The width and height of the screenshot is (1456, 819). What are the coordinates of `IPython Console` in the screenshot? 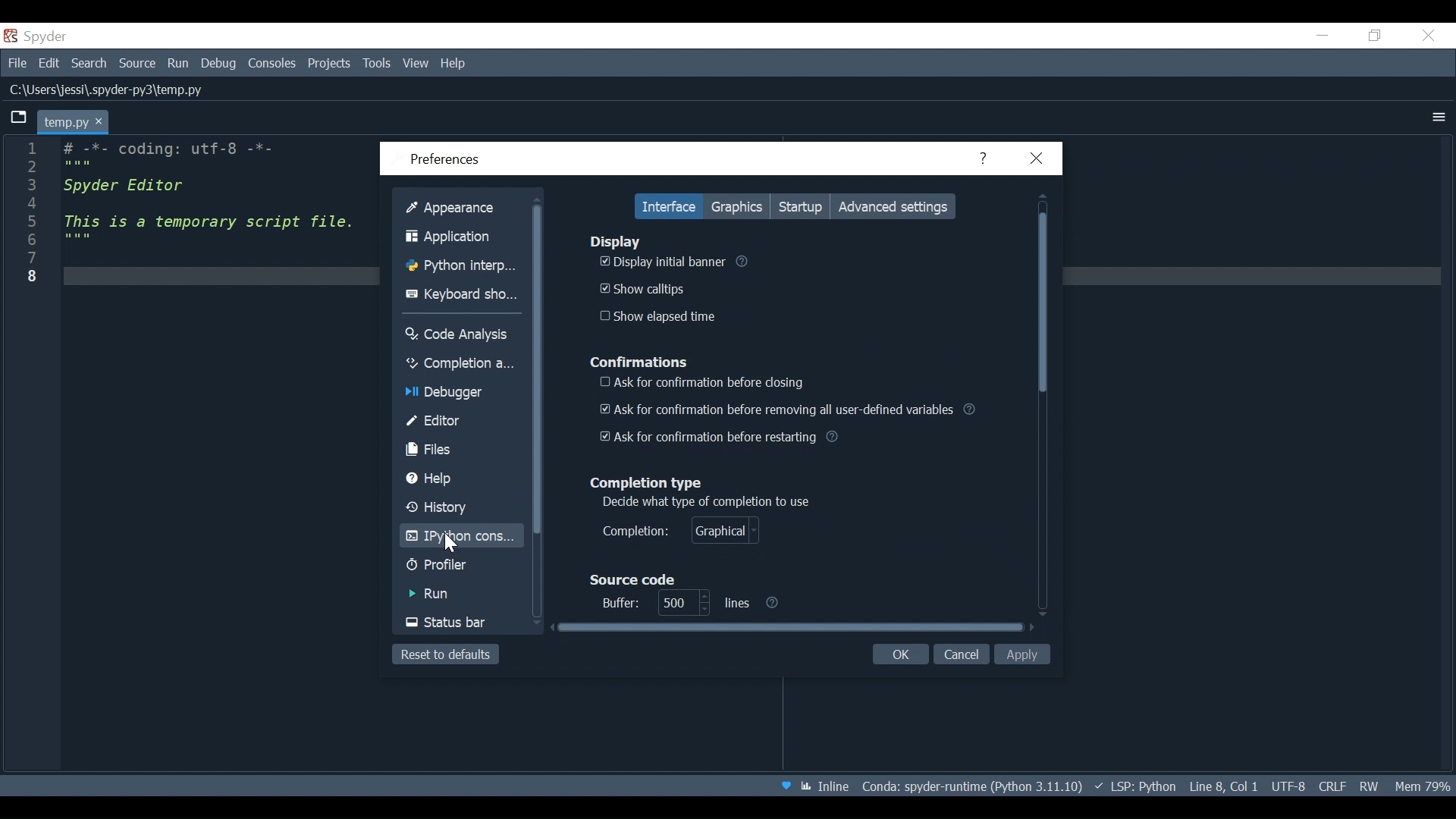 It's located at (456, 538).